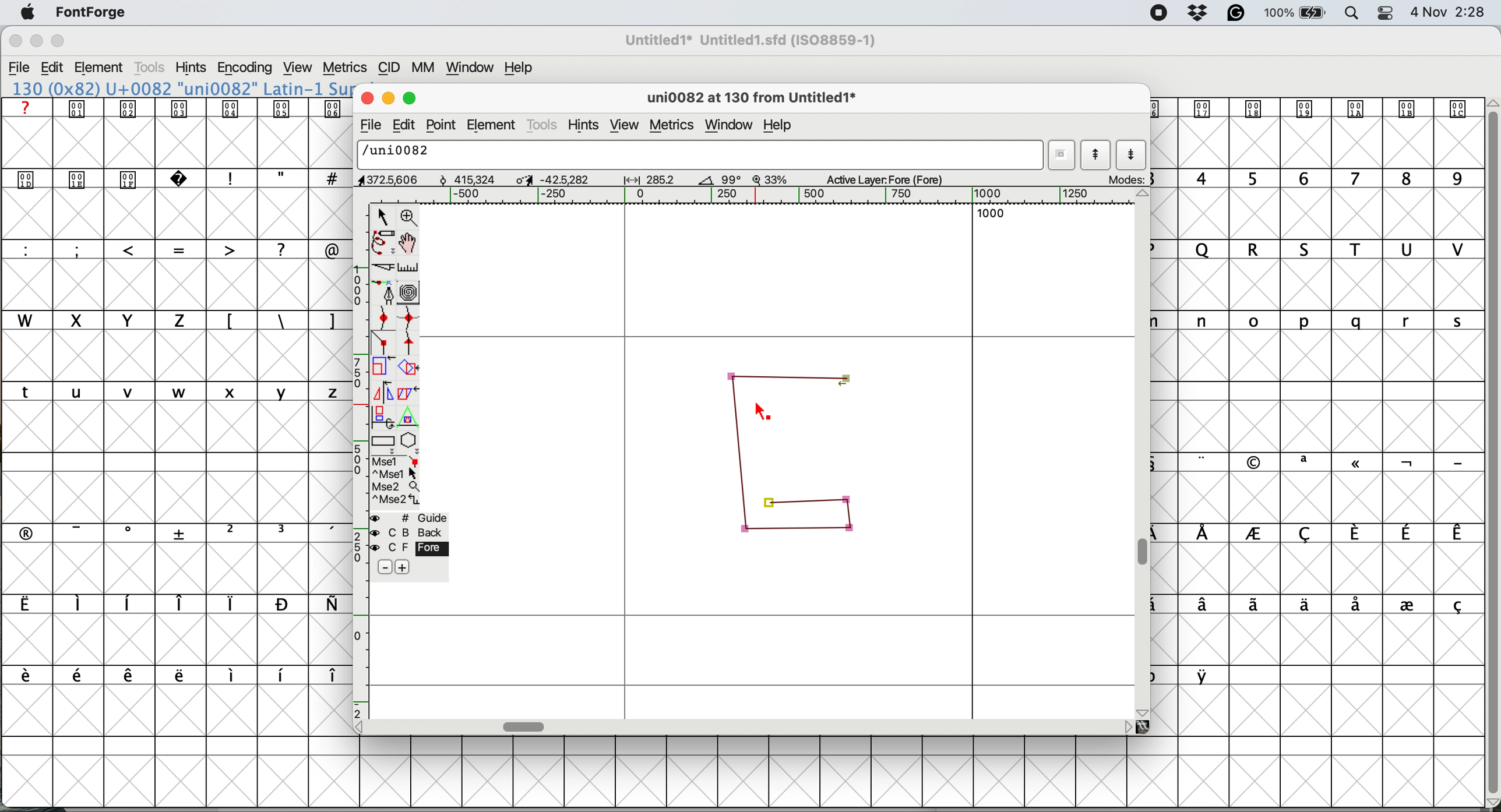  Describe the element at coordinates (1098, 154) in the screenshot. I see `show previous letter` at that location.